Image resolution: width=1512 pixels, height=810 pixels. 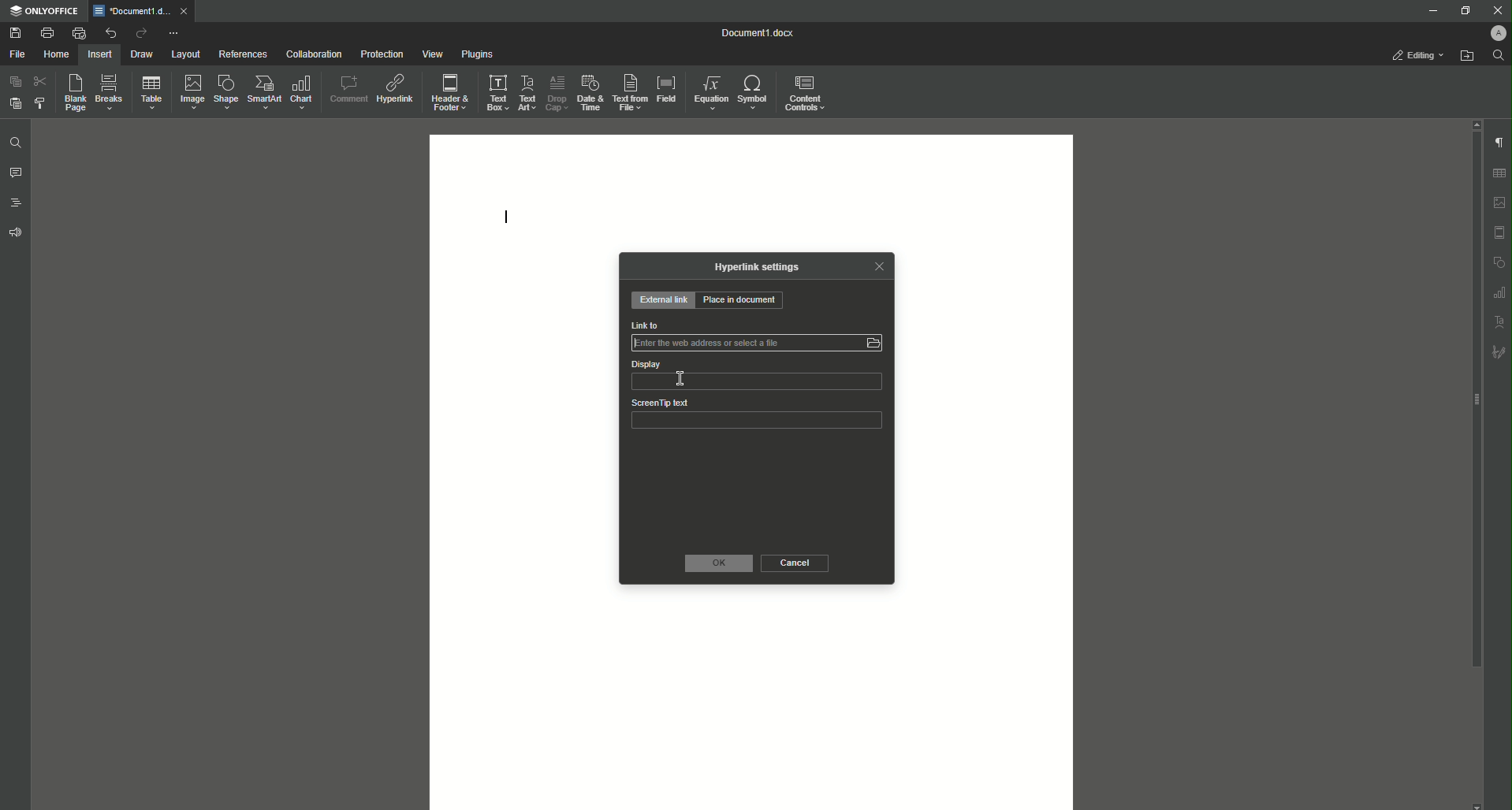 I want to click on Chart, so click(x=300, y=93).